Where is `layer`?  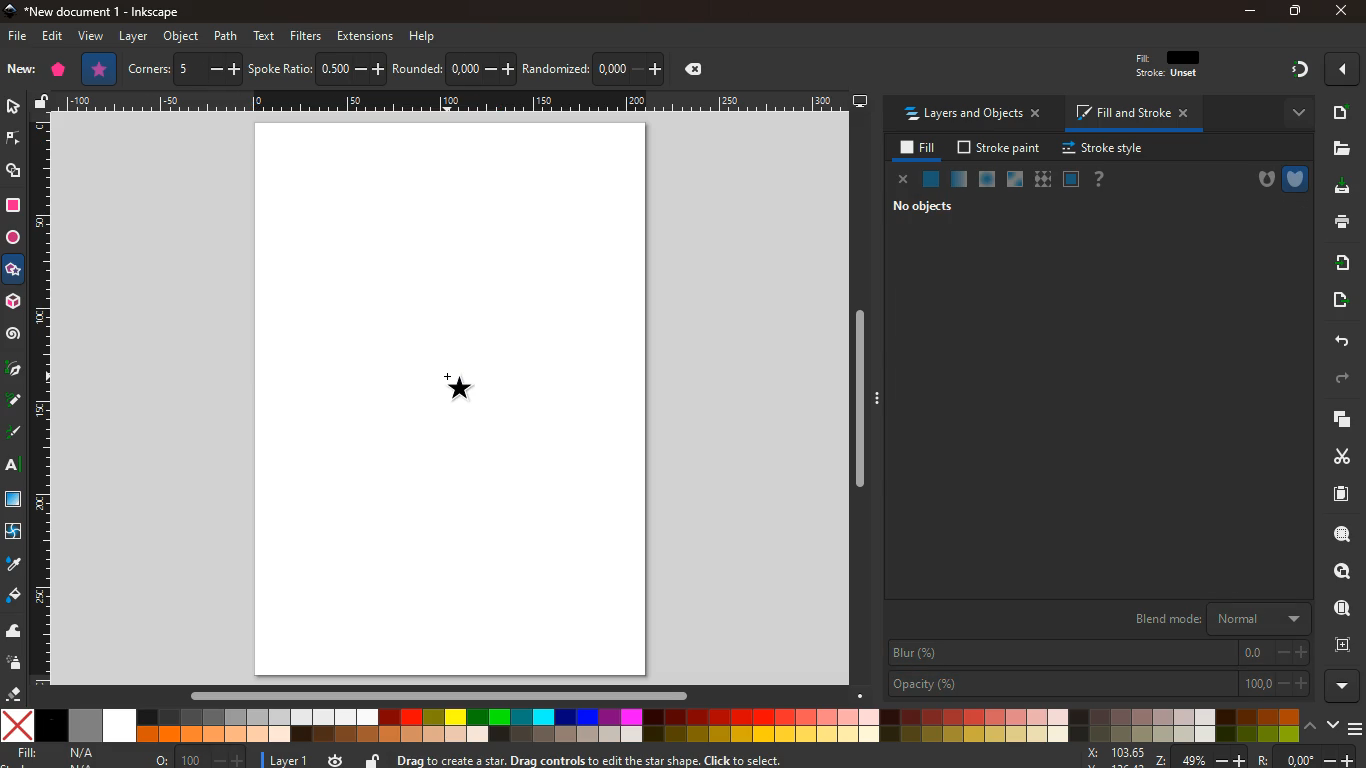 layer is located at coordinates (131, 37).